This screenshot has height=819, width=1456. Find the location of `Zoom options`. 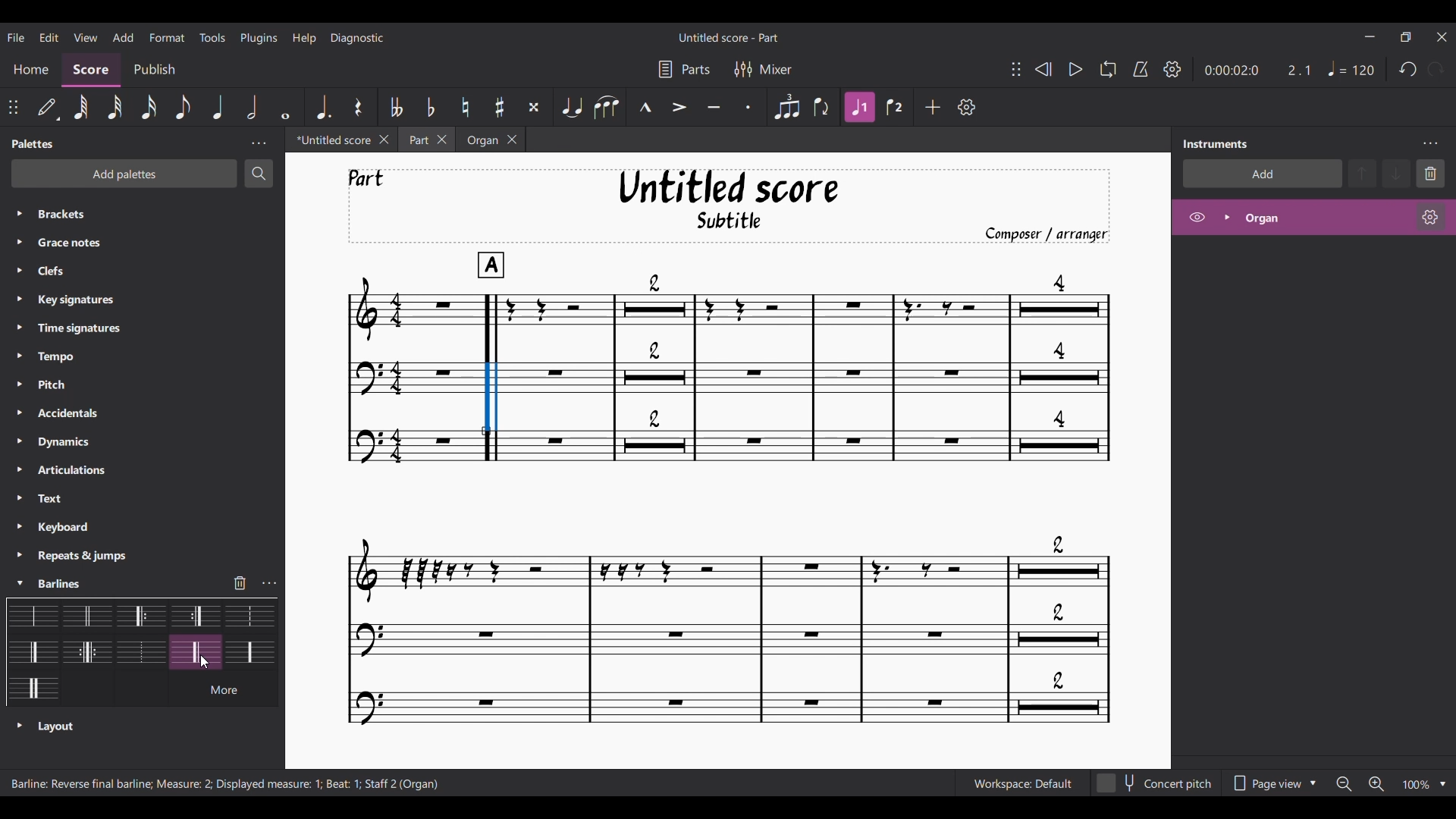

Zoom options is located at coordinates (1442, 783).